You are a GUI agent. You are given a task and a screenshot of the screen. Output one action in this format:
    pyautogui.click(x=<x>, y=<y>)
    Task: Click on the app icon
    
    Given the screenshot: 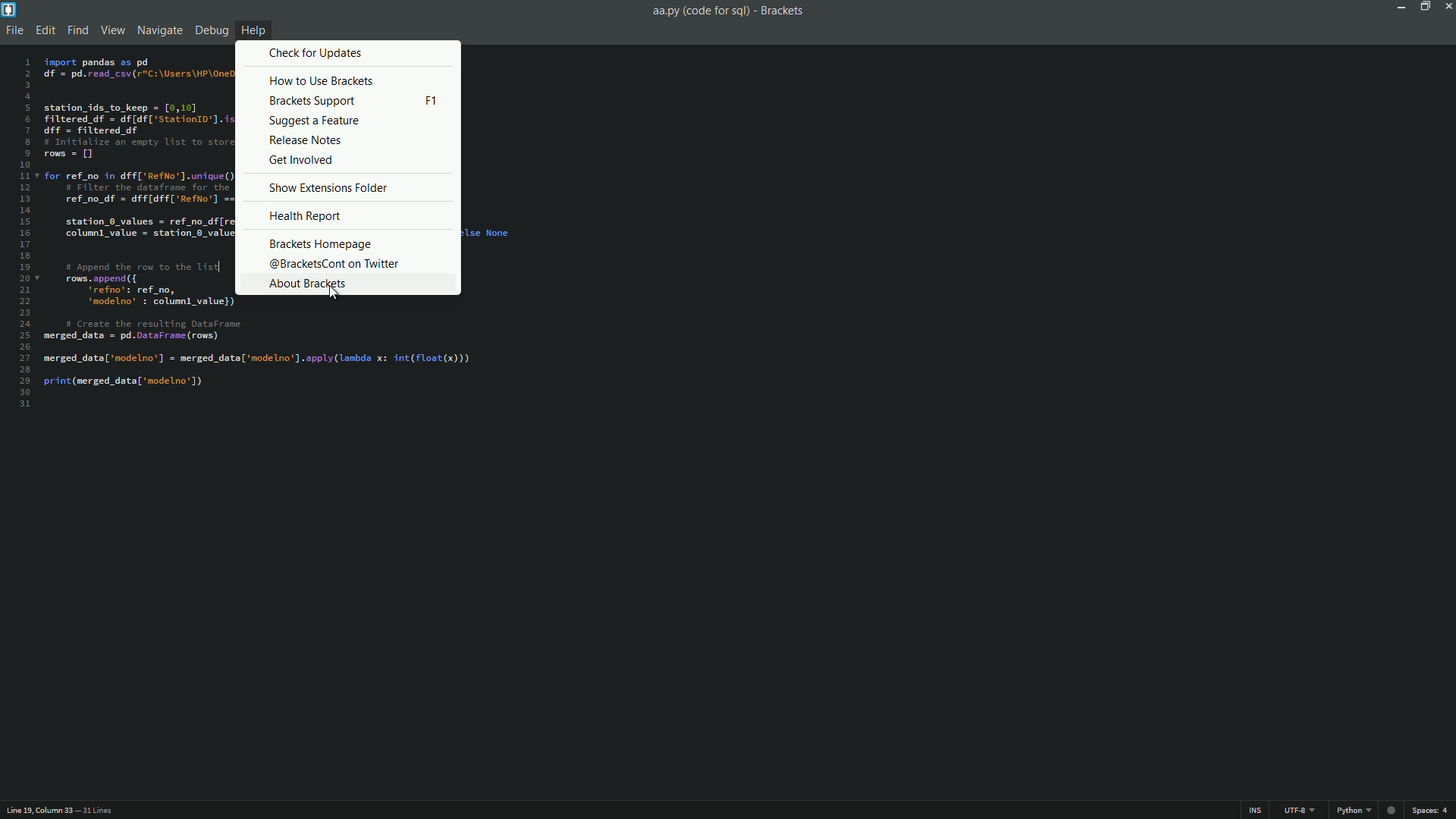 What is the action you would take?
    pyautogui.click(x=10, y=10)
    